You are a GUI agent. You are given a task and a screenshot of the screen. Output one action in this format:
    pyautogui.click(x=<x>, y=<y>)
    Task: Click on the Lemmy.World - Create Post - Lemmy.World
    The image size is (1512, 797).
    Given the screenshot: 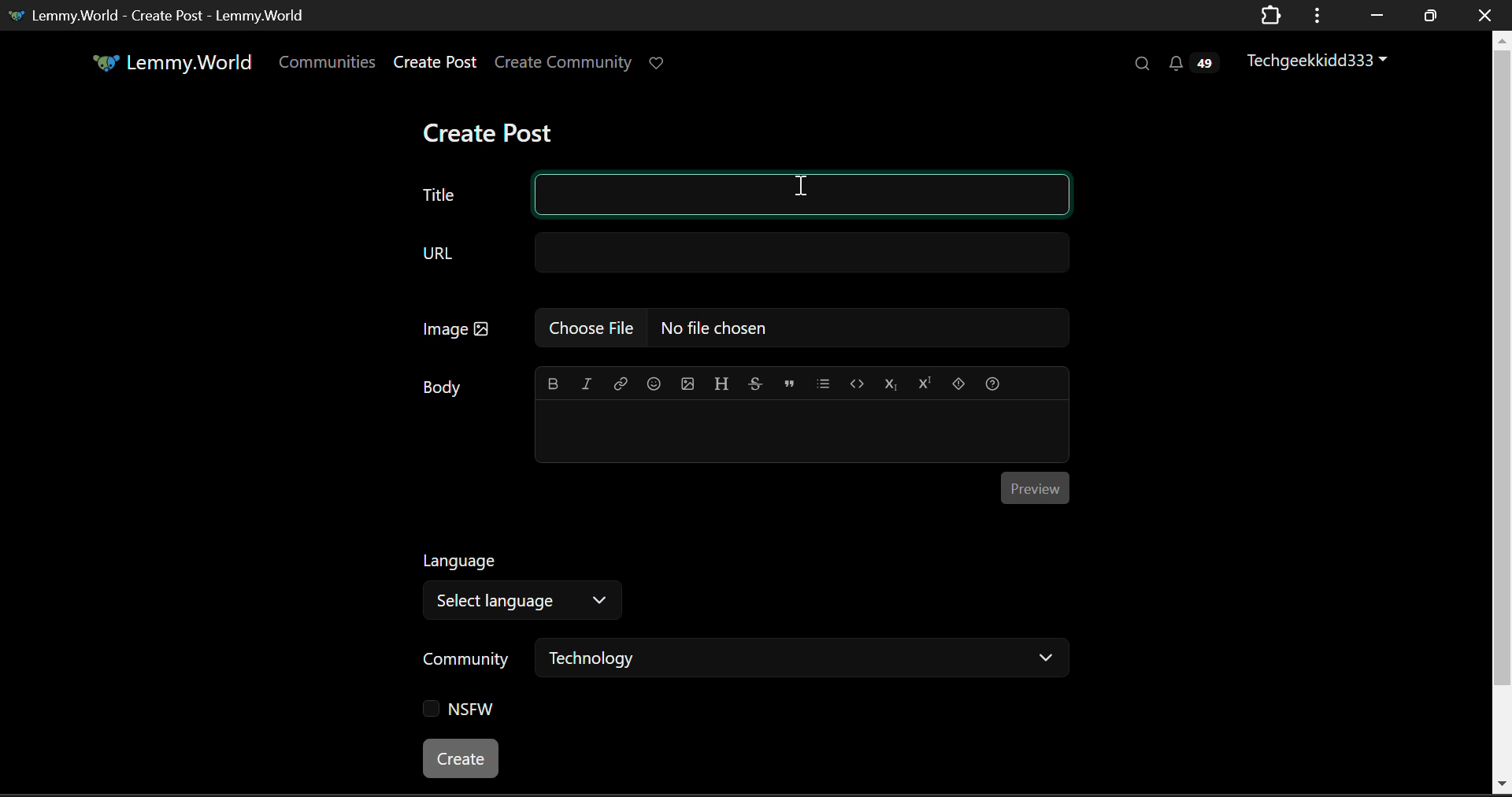 What is the action you would take?
    pyautogui.click(x=160, y=17)
    